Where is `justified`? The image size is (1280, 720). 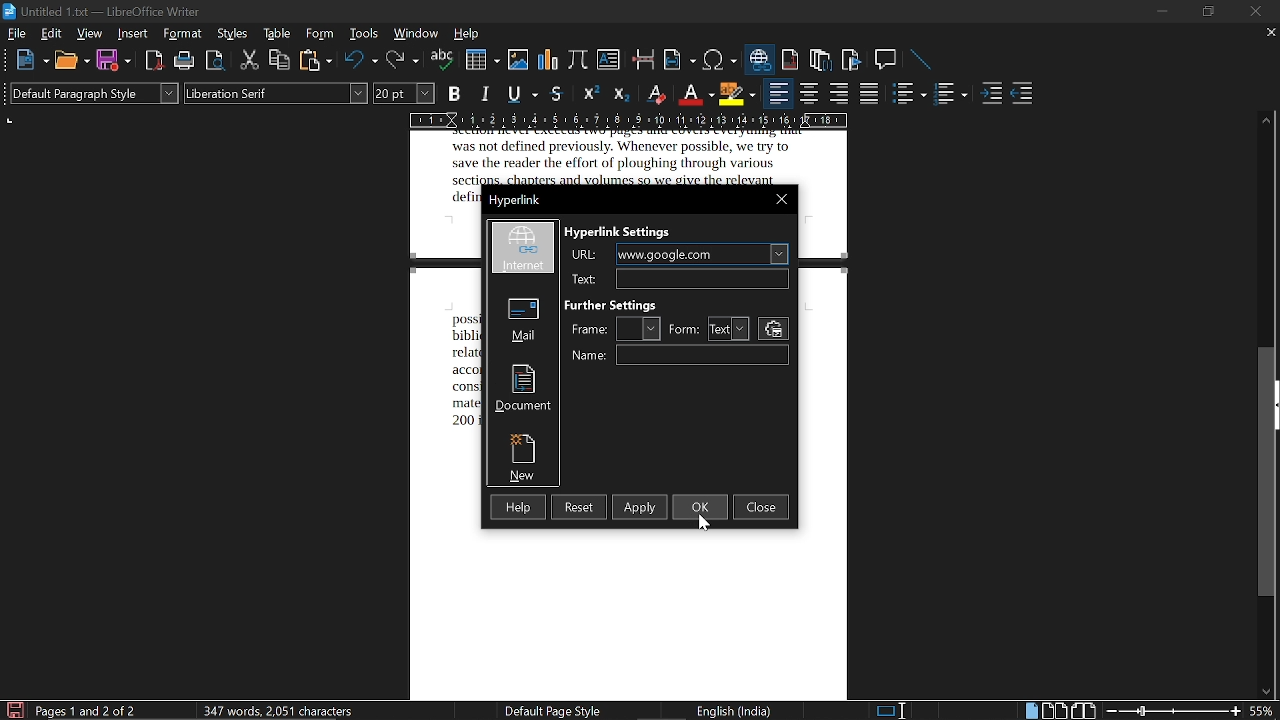
justified is located at coordinates (870, 95).